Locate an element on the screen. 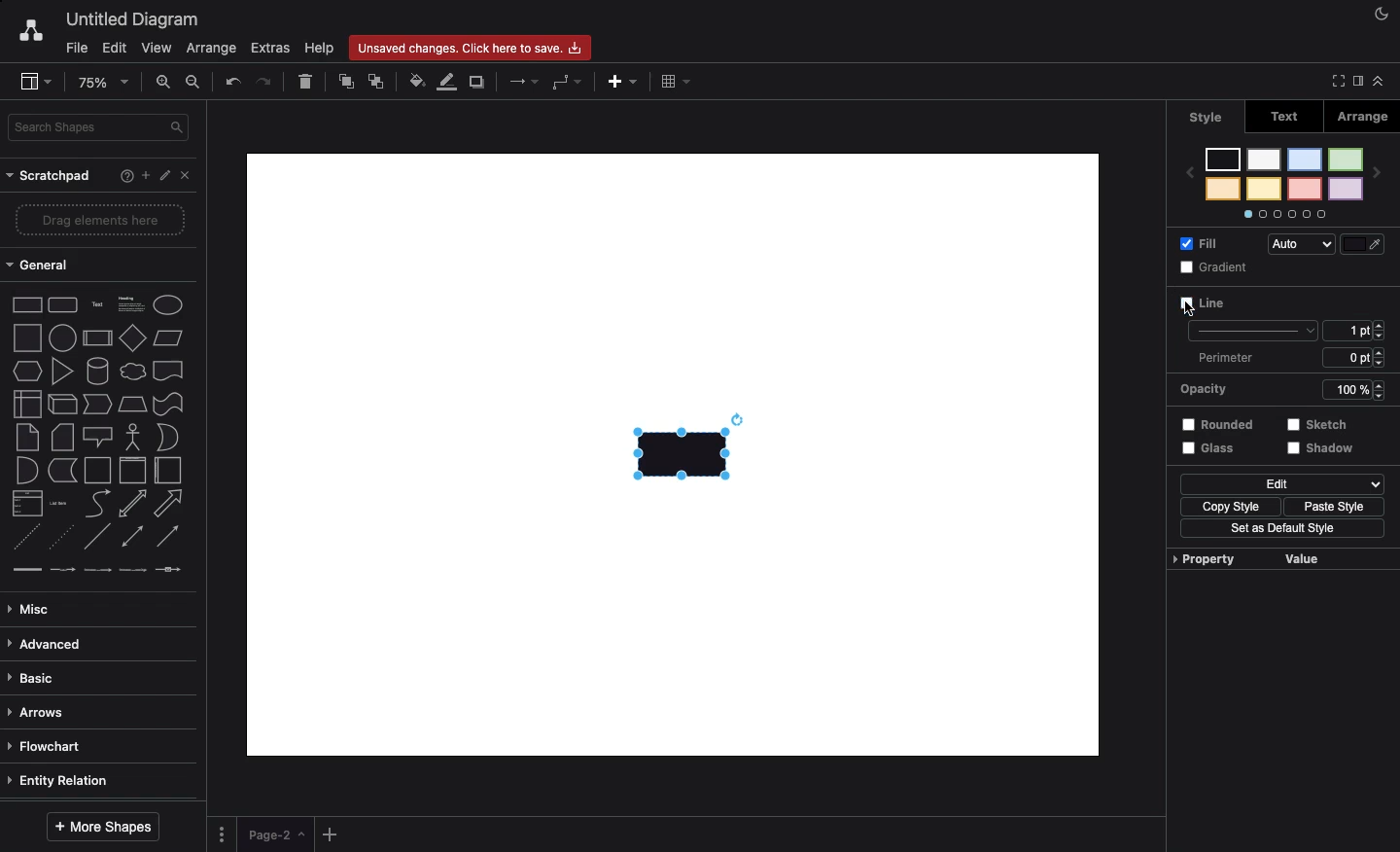  Eclipse is located at coordinates (168, 304).